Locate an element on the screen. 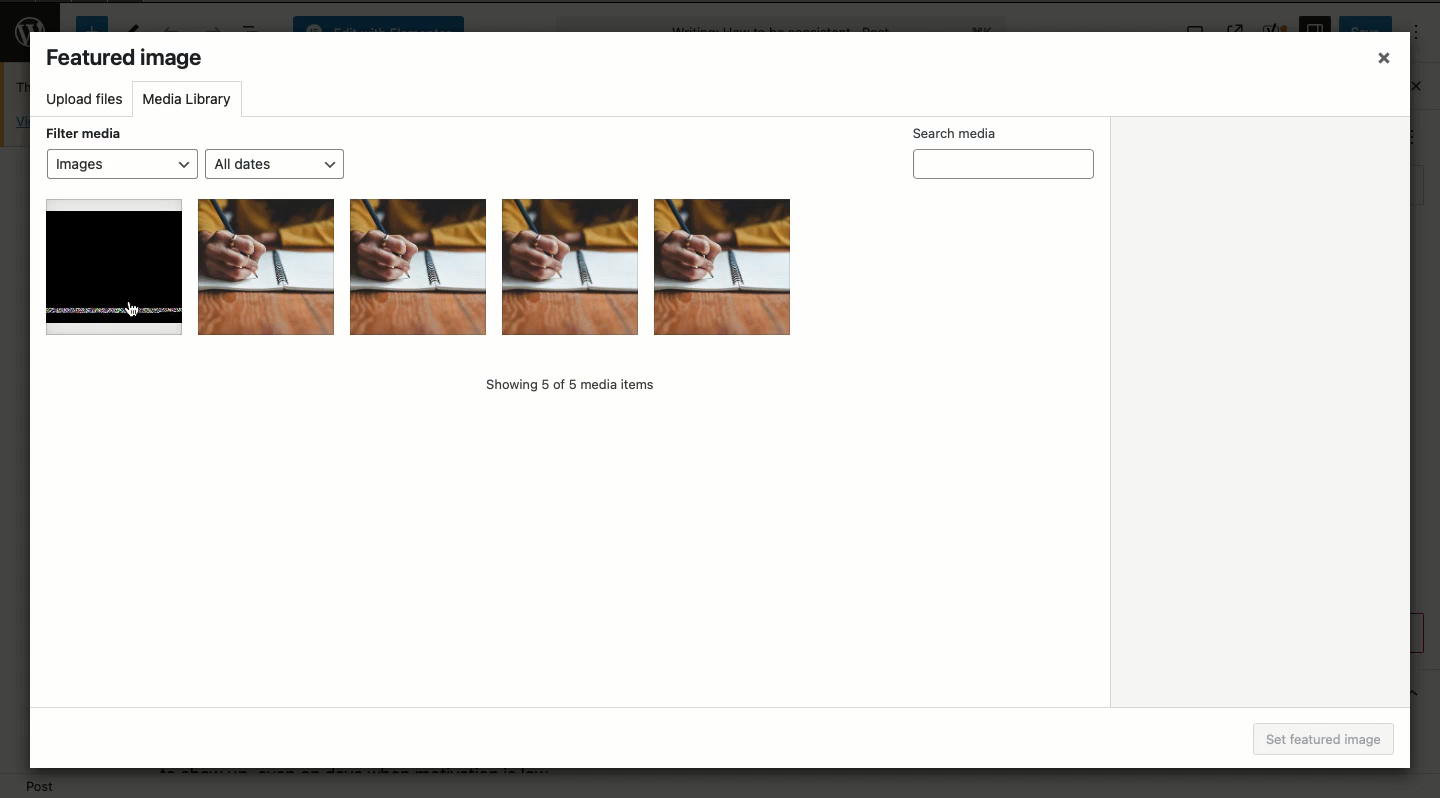 The image size is (1440, 798). Cursor is located at coordinates (135, 310).